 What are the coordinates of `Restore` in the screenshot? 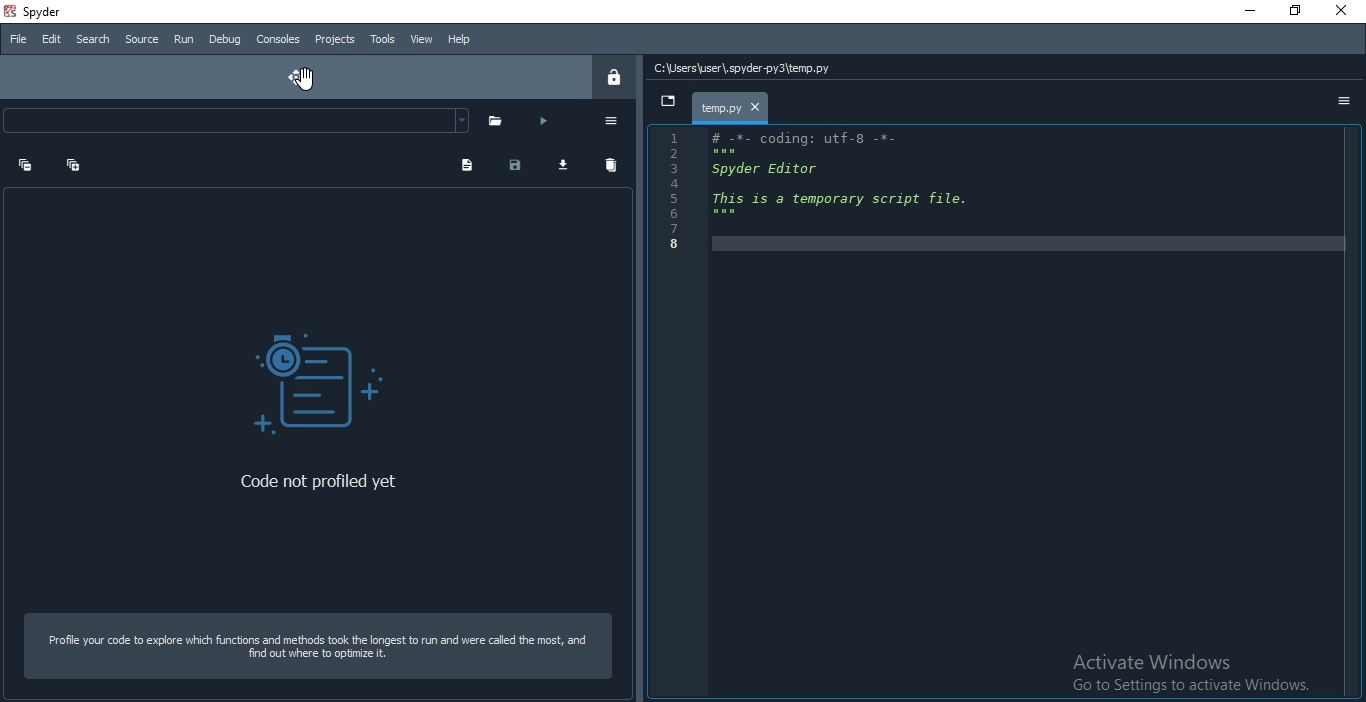 It's located at (1293, 10).